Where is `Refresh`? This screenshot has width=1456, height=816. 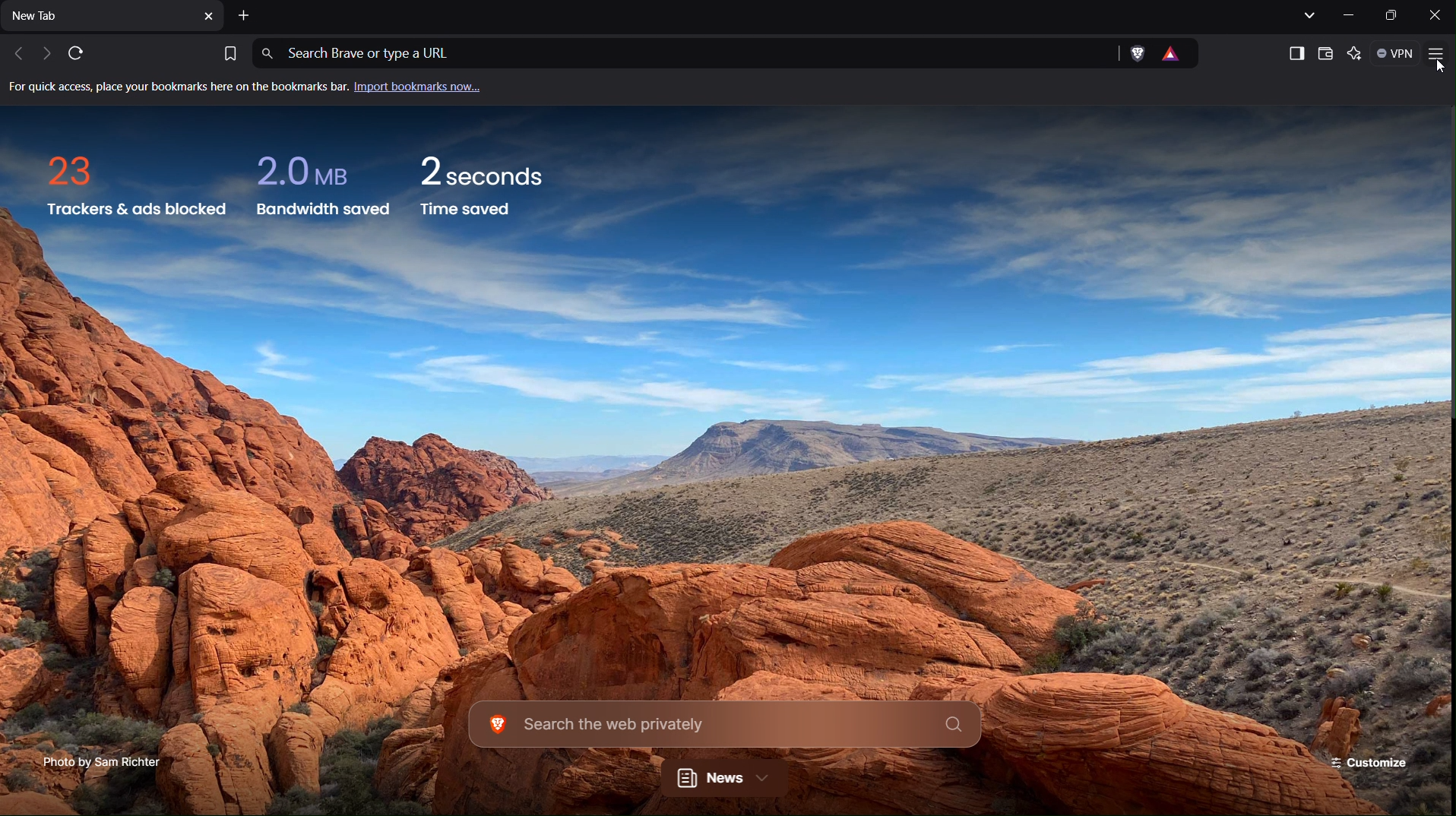 Refresh is located at coordinates (79, 52).